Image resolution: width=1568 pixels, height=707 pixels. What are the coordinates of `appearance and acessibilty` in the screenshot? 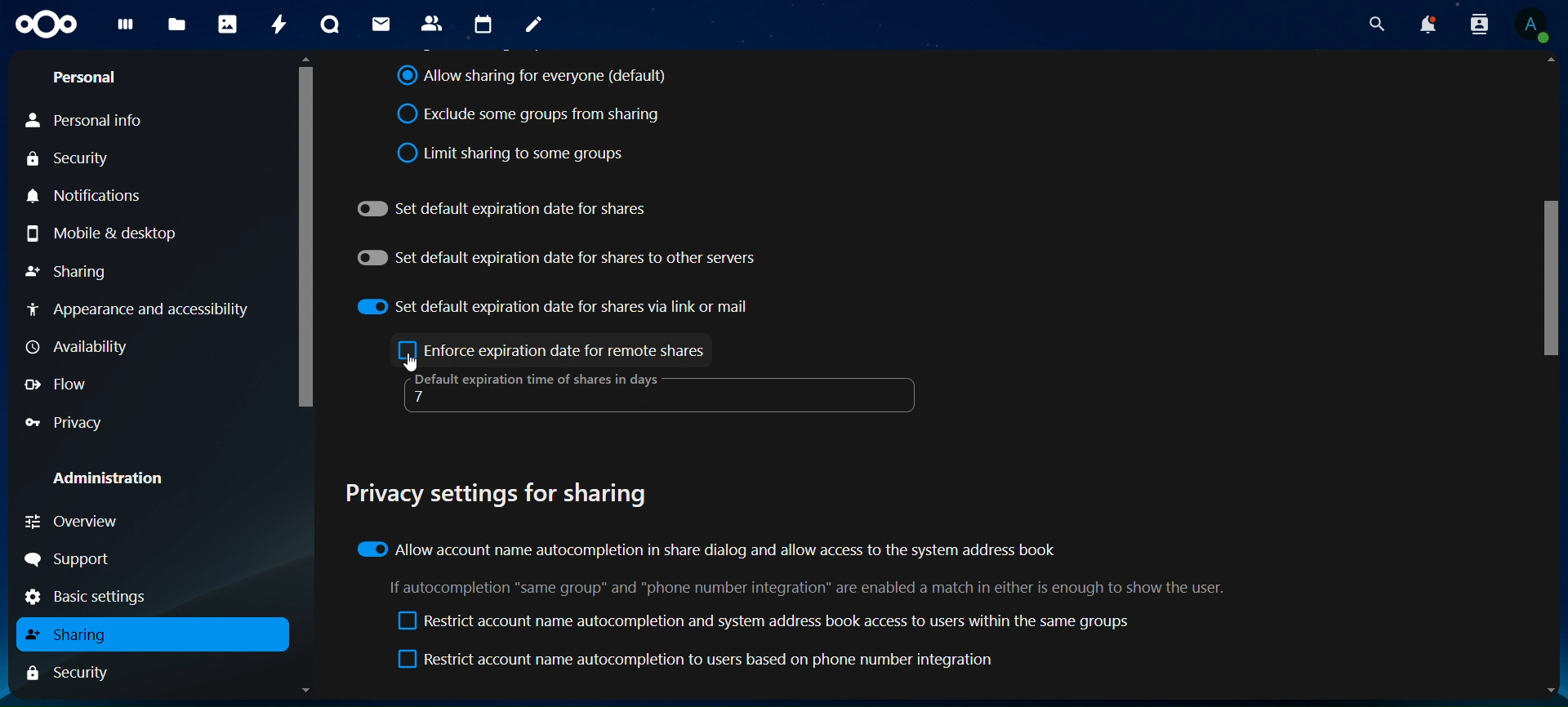 It's located at (141, 306).